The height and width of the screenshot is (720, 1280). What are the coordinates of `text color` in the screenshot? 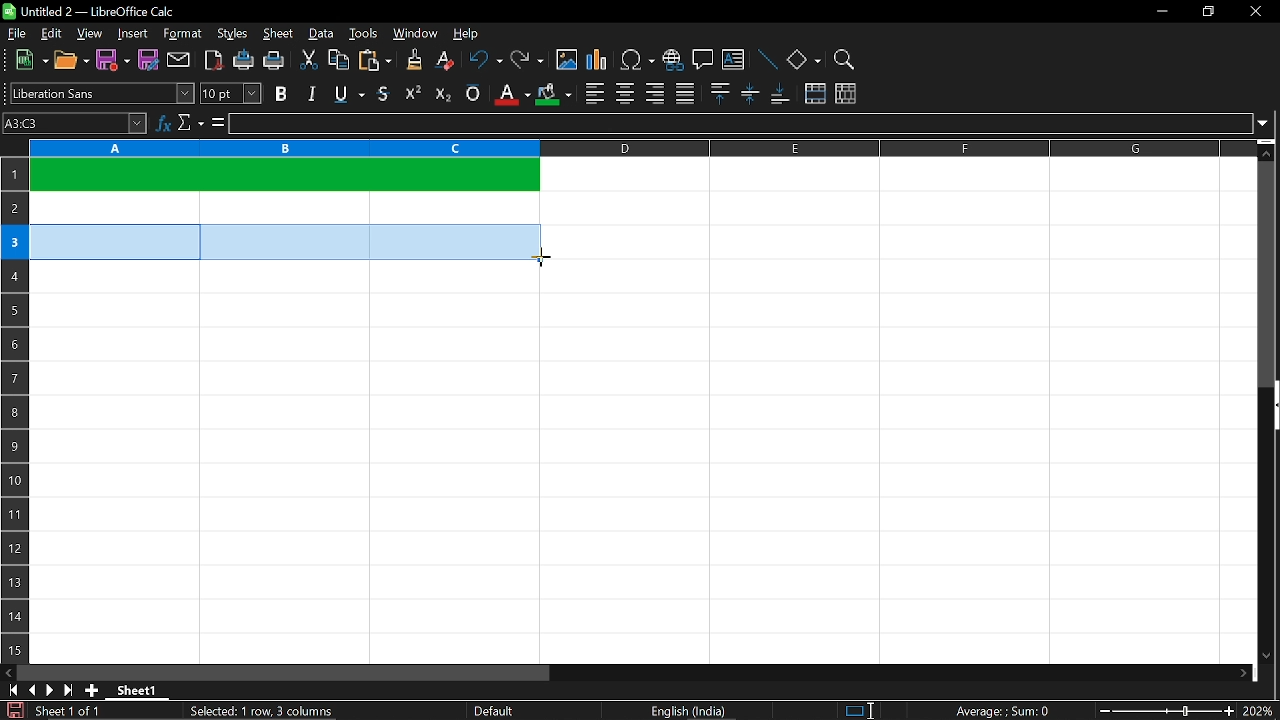 It's located at (510, 94).